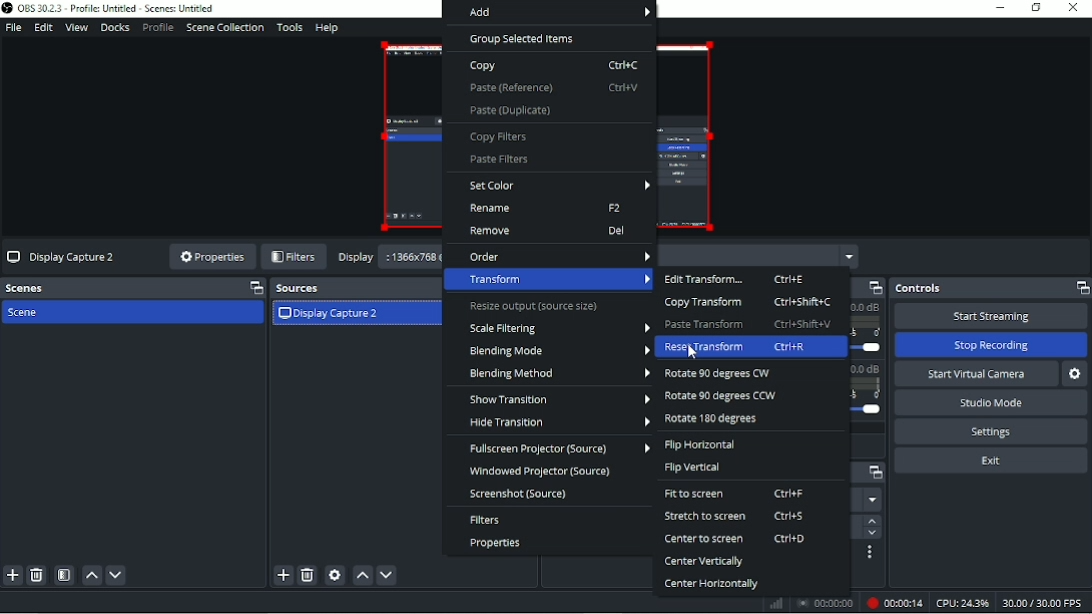 The image size is (1092, 614). Describe the element at coordinates (547, 231) in the screenshot. I see `Remove` at that location.